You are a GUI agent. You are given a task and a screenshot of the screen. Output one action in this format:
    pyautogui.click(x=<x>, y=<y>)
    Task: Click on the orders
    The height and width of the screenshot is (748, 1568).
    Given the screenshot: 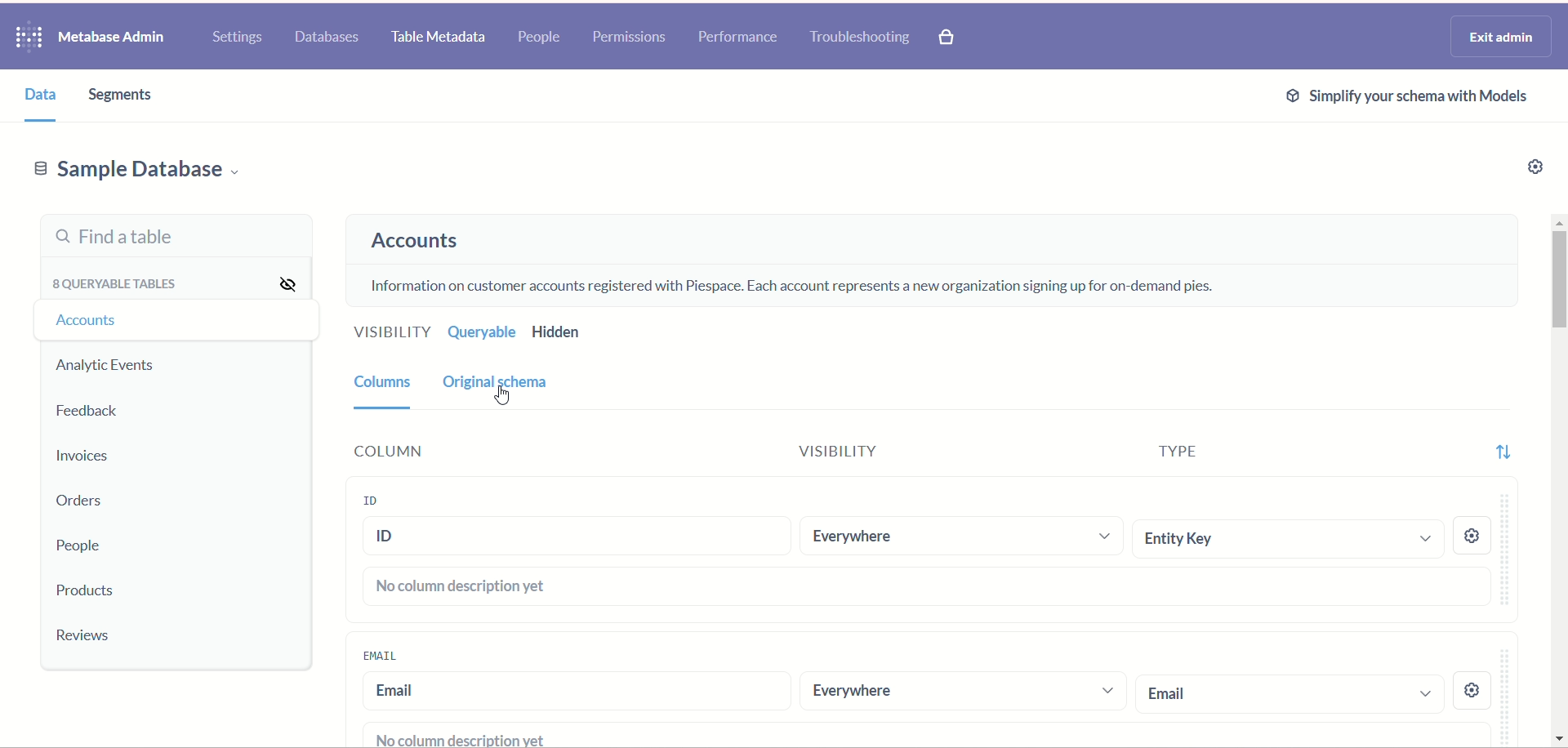 What is the action you would take?
    pyautogui.click(x=91, y=501)
    